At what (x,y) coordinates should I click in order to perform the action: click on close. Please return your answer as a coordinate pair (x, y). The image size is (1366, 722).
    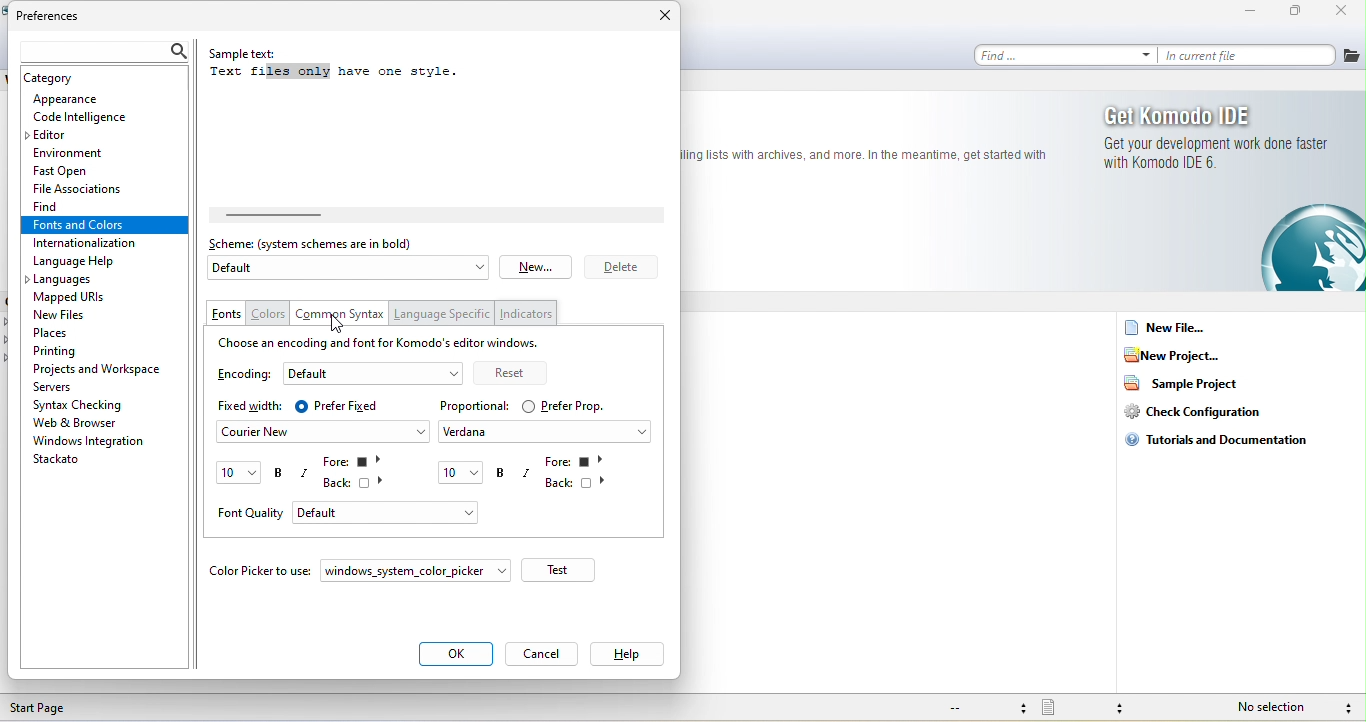
    Looking at the image, I should click on (1338, 11).